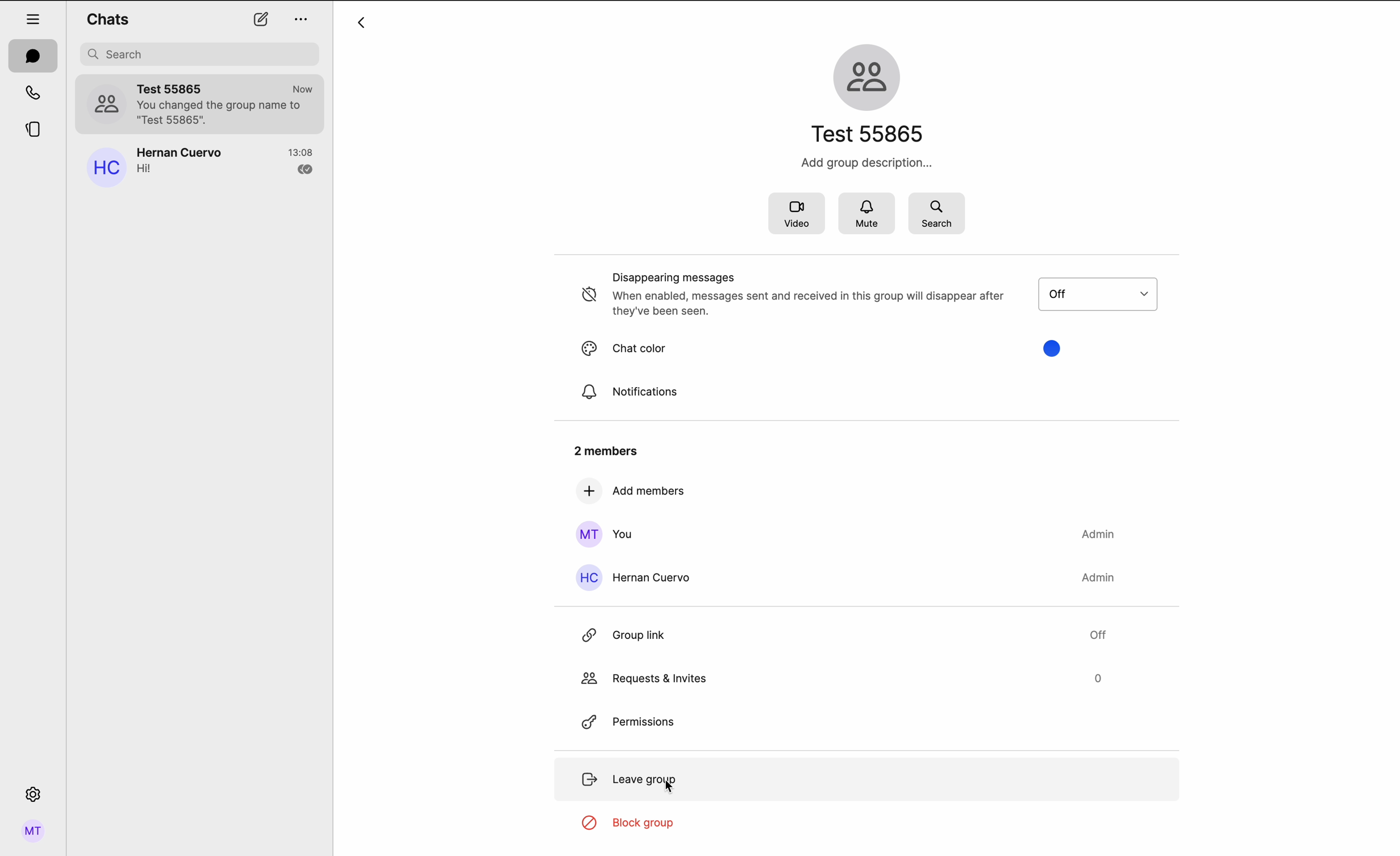  Describe the element at coordinates (795, 215) in the screenshot. I see `video button` at that location.